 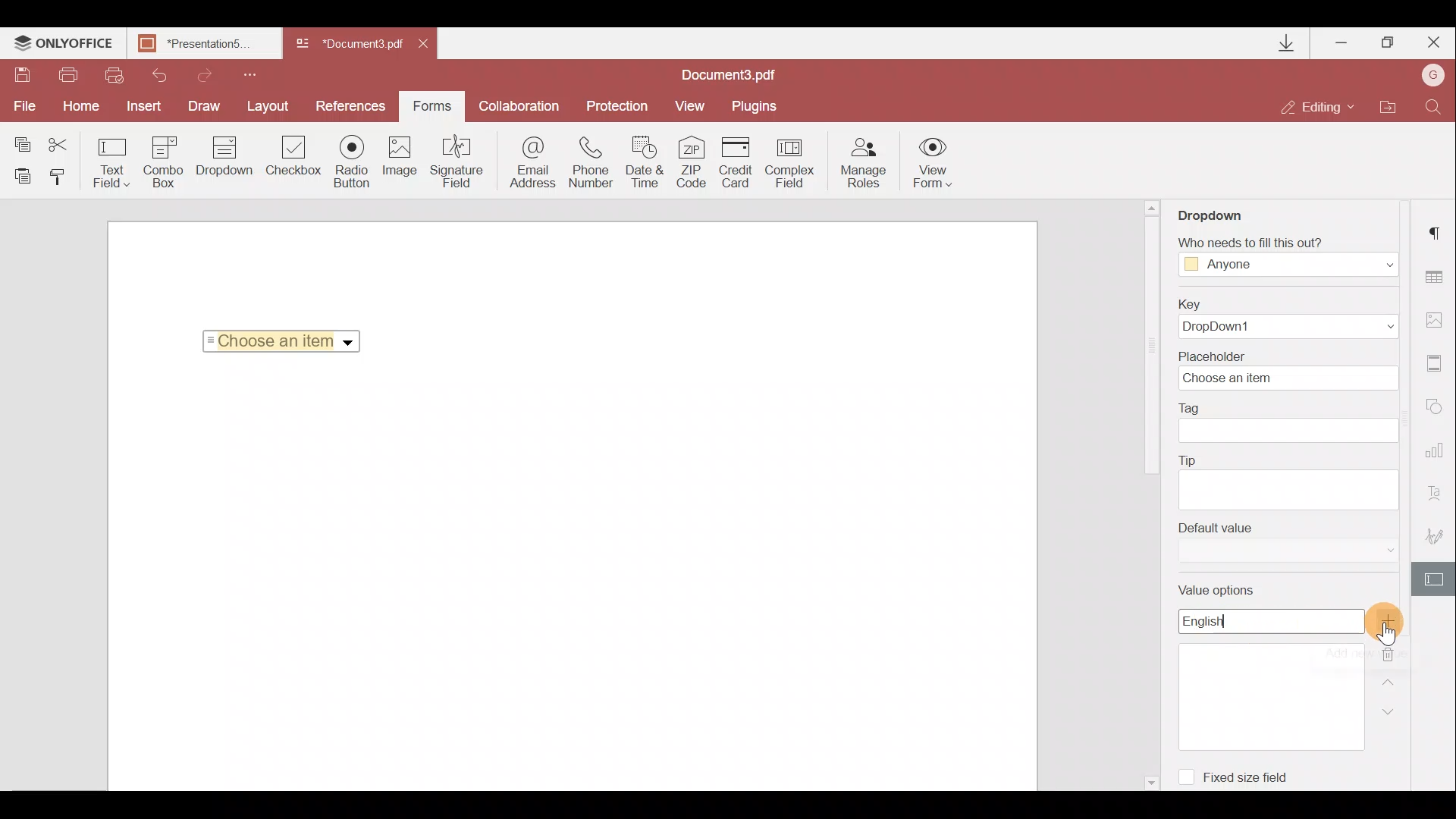 What do you see at coordinates (934, 162) in the screenshot?
I see `View form` at bounding box center [934, 162].